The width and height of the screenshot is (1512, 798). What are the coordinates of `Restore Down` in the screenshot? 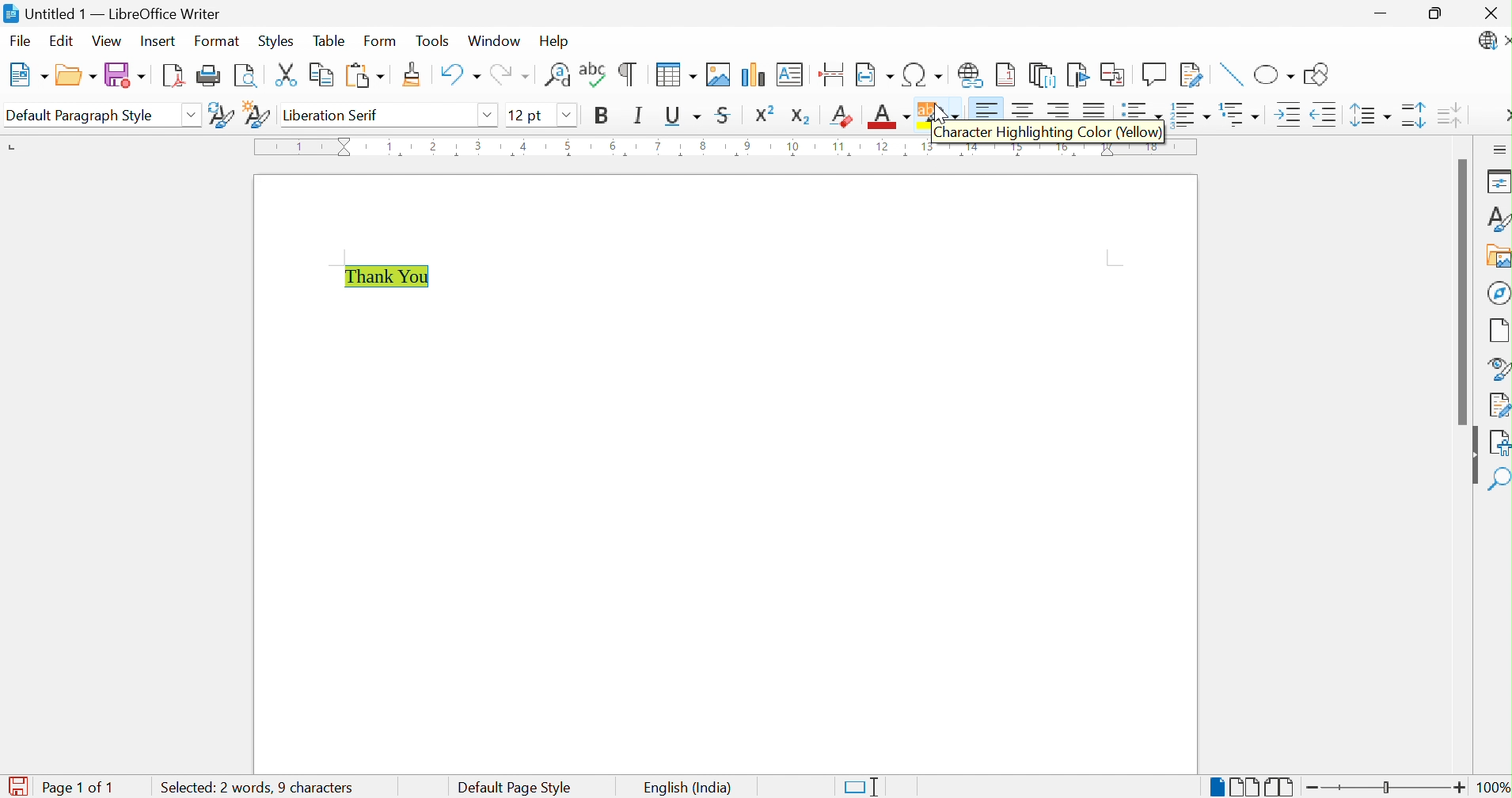 It's located at (1437, 13).